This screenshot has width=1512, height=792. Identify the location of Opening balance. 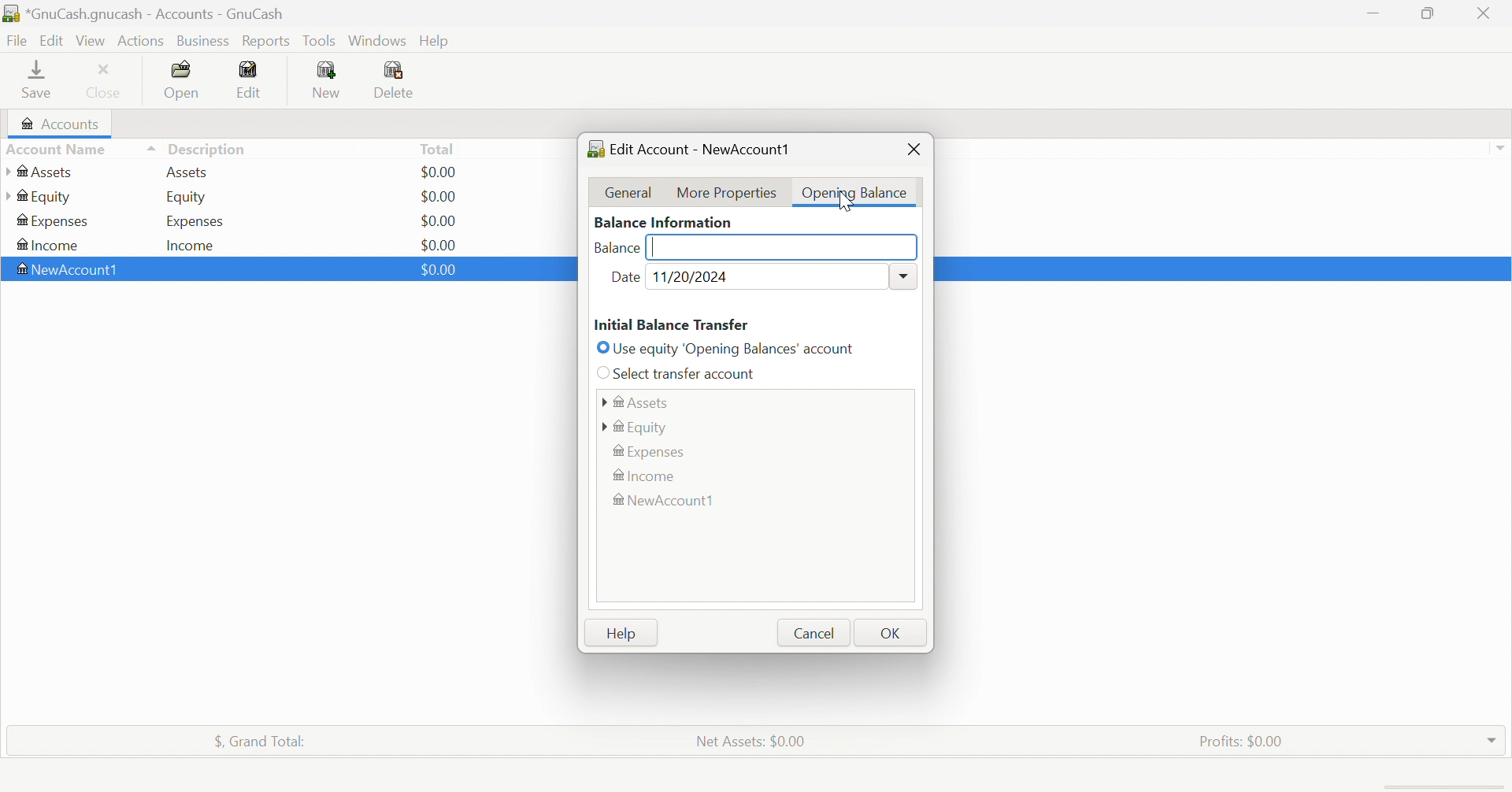
(854, 193).